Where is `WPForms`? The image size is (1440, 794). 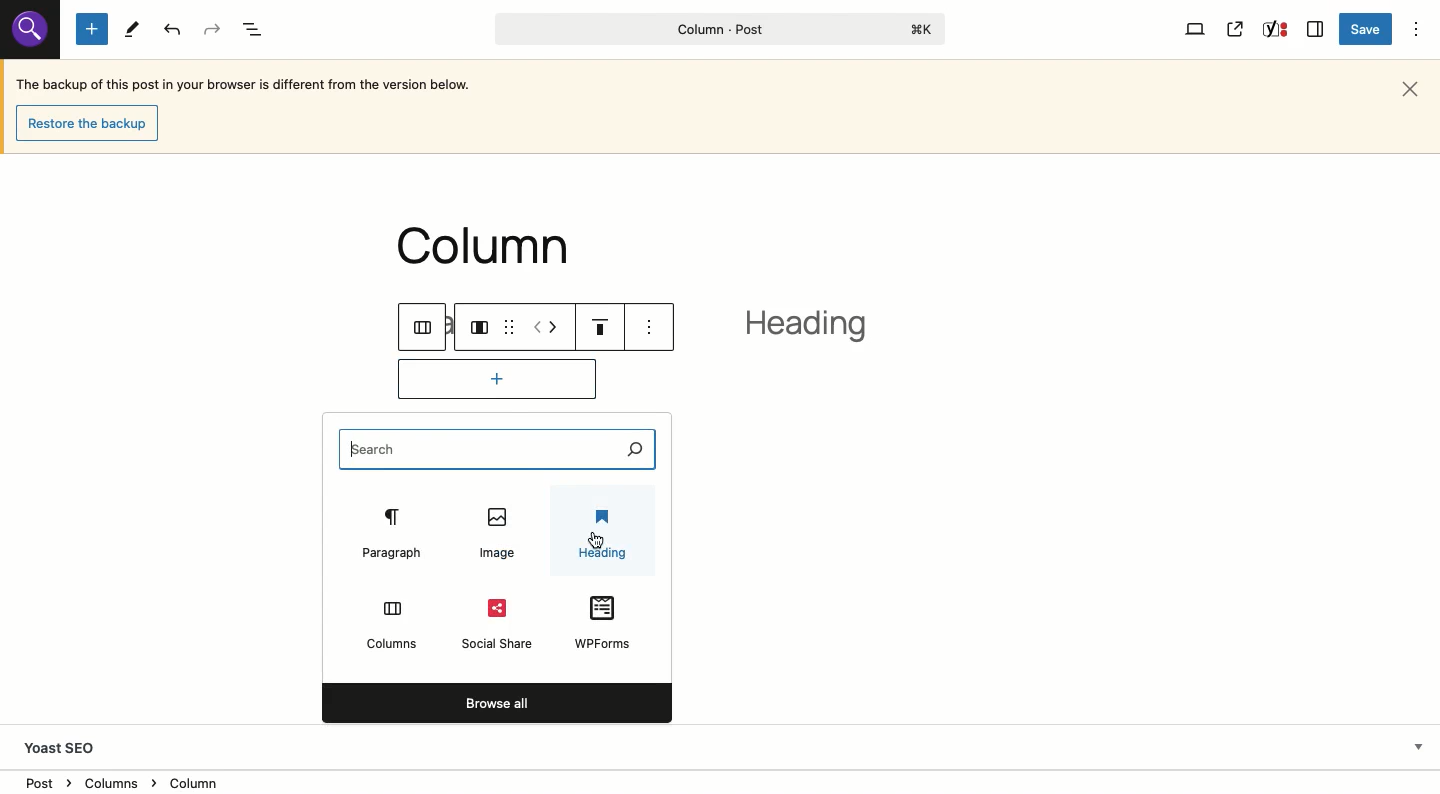
WPForms is located at coordinates (596, 626).